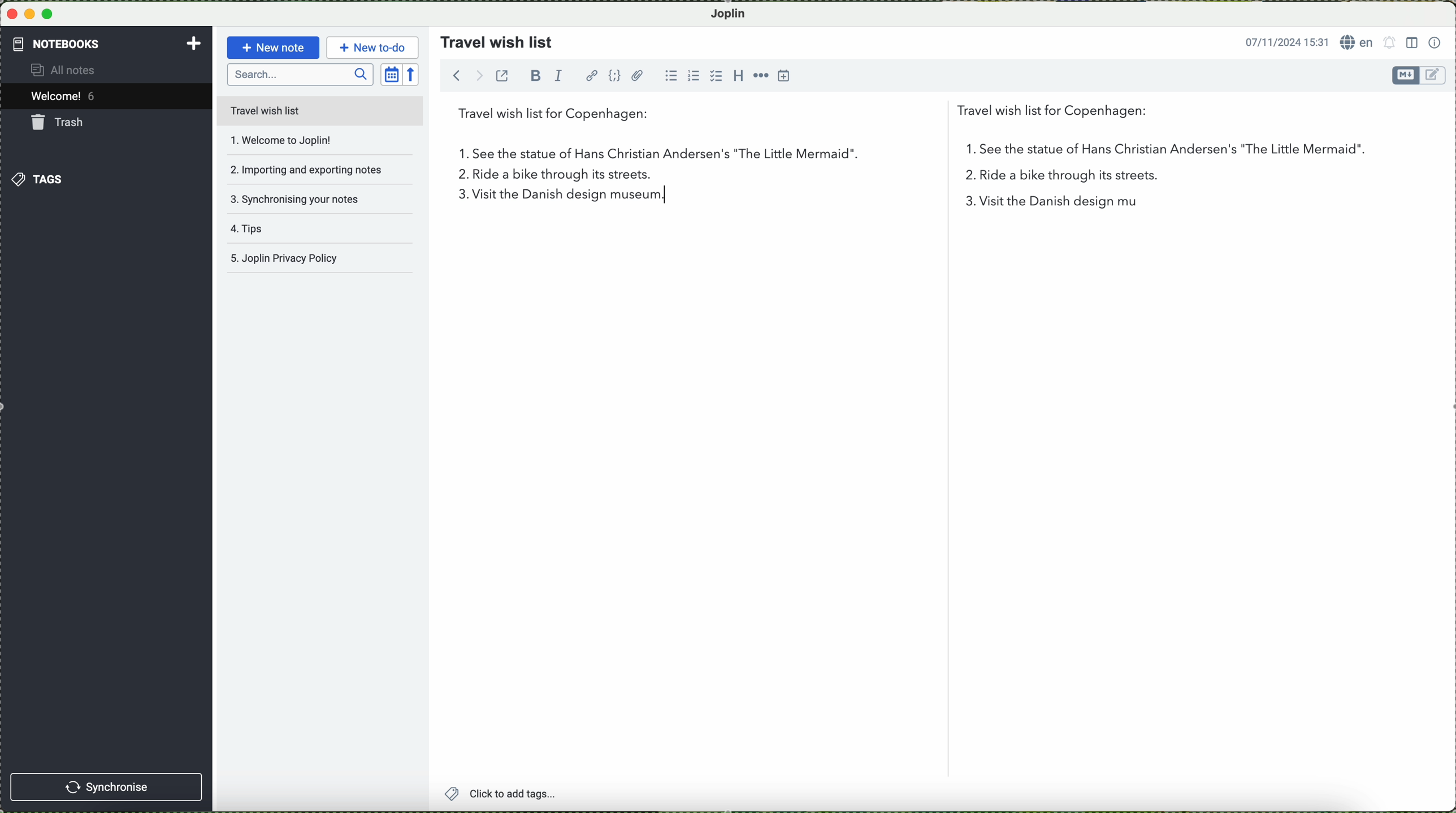 This screenshot has height=813, width=1456. Describe the element at coordinates (66, 98) in the screenshot. I see `welcome 5` at that location.